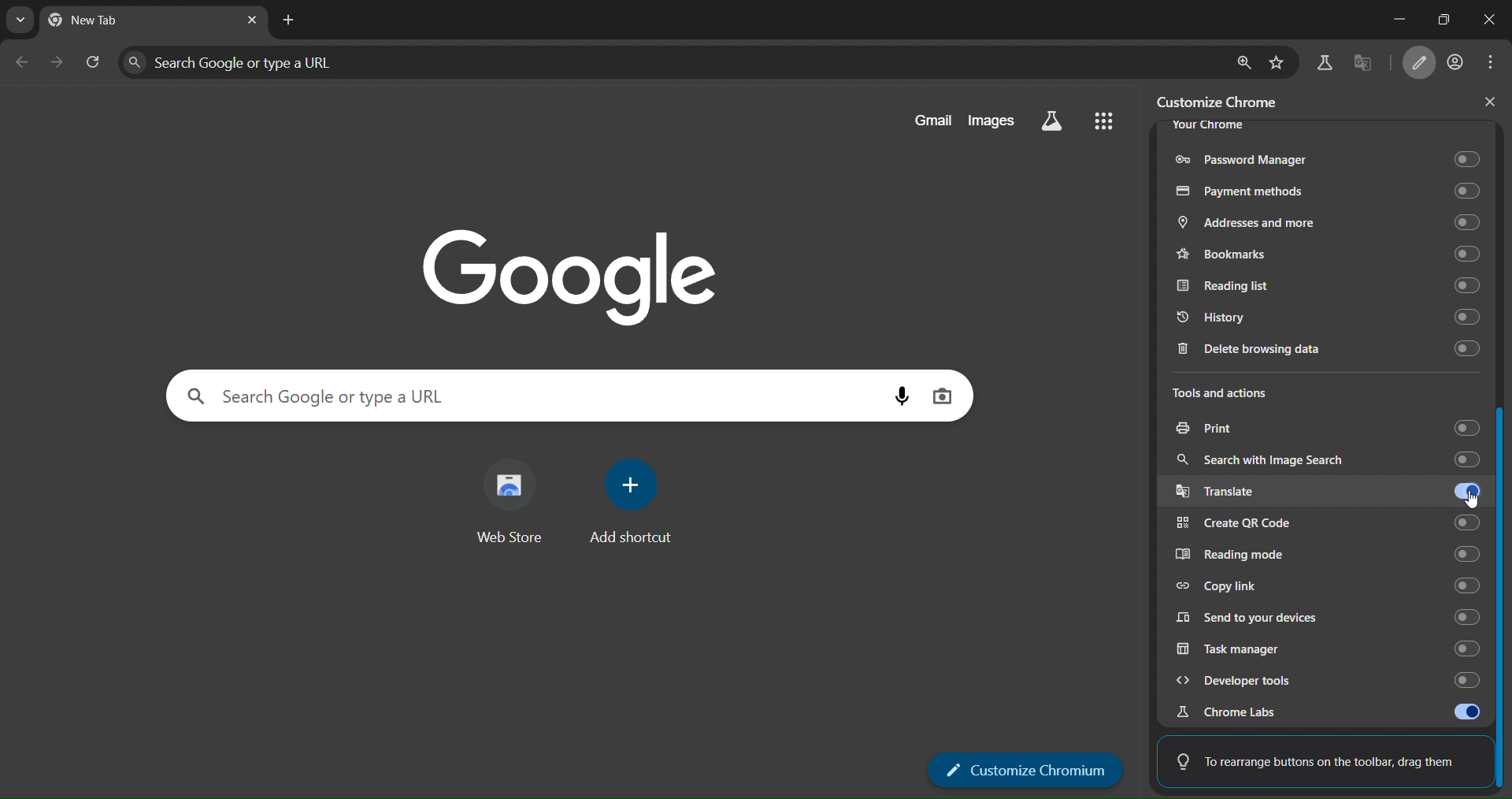  What do you see at coordinates (1326, 523) in the screenshot?
I see `create QR code` at bounding box center [1326, 523].